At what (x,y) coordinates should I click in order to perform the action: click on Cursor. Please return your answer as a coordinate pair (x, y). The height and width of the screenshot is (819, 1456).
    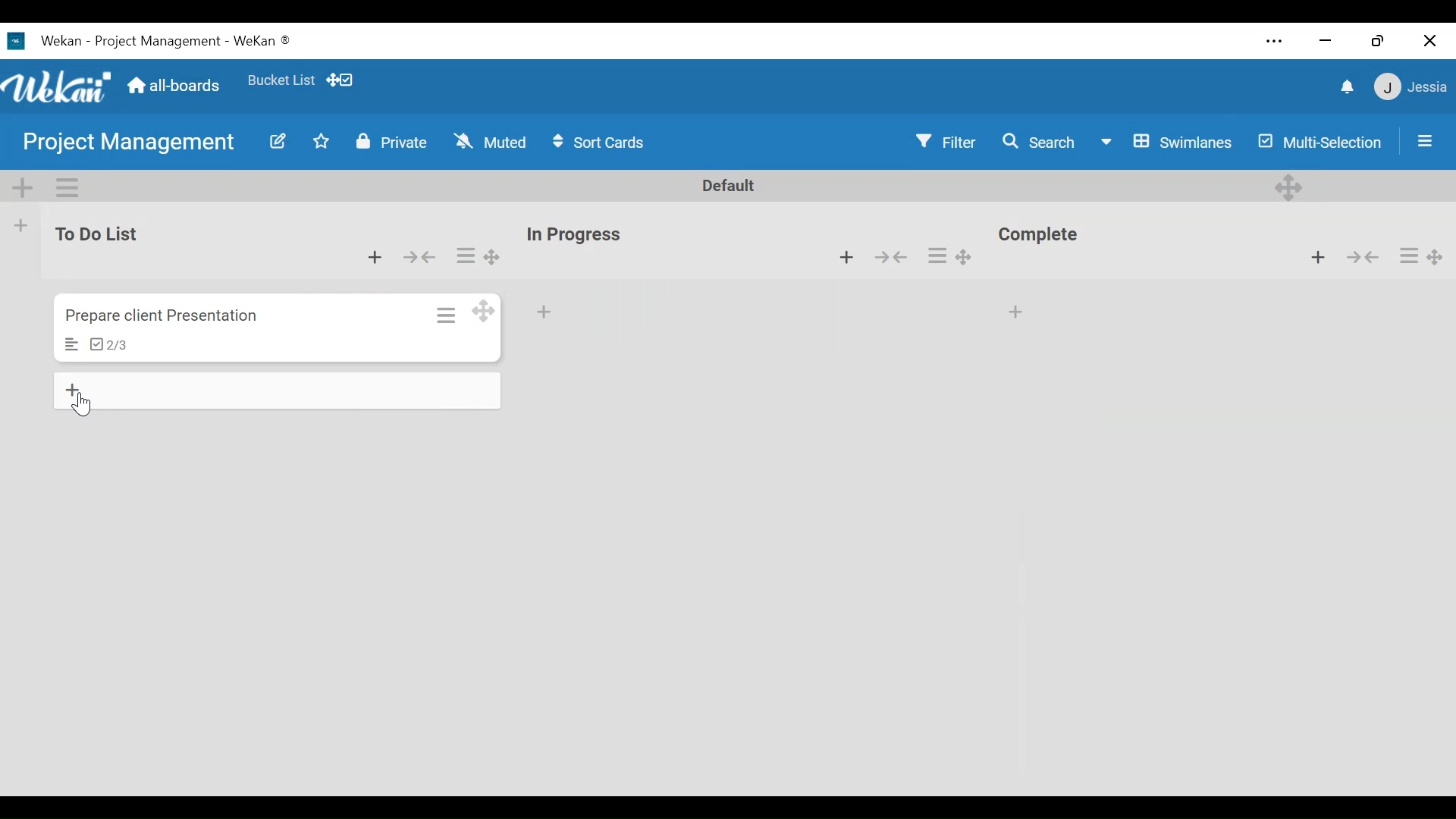
    Looking at the image, I should click on (86, 405).